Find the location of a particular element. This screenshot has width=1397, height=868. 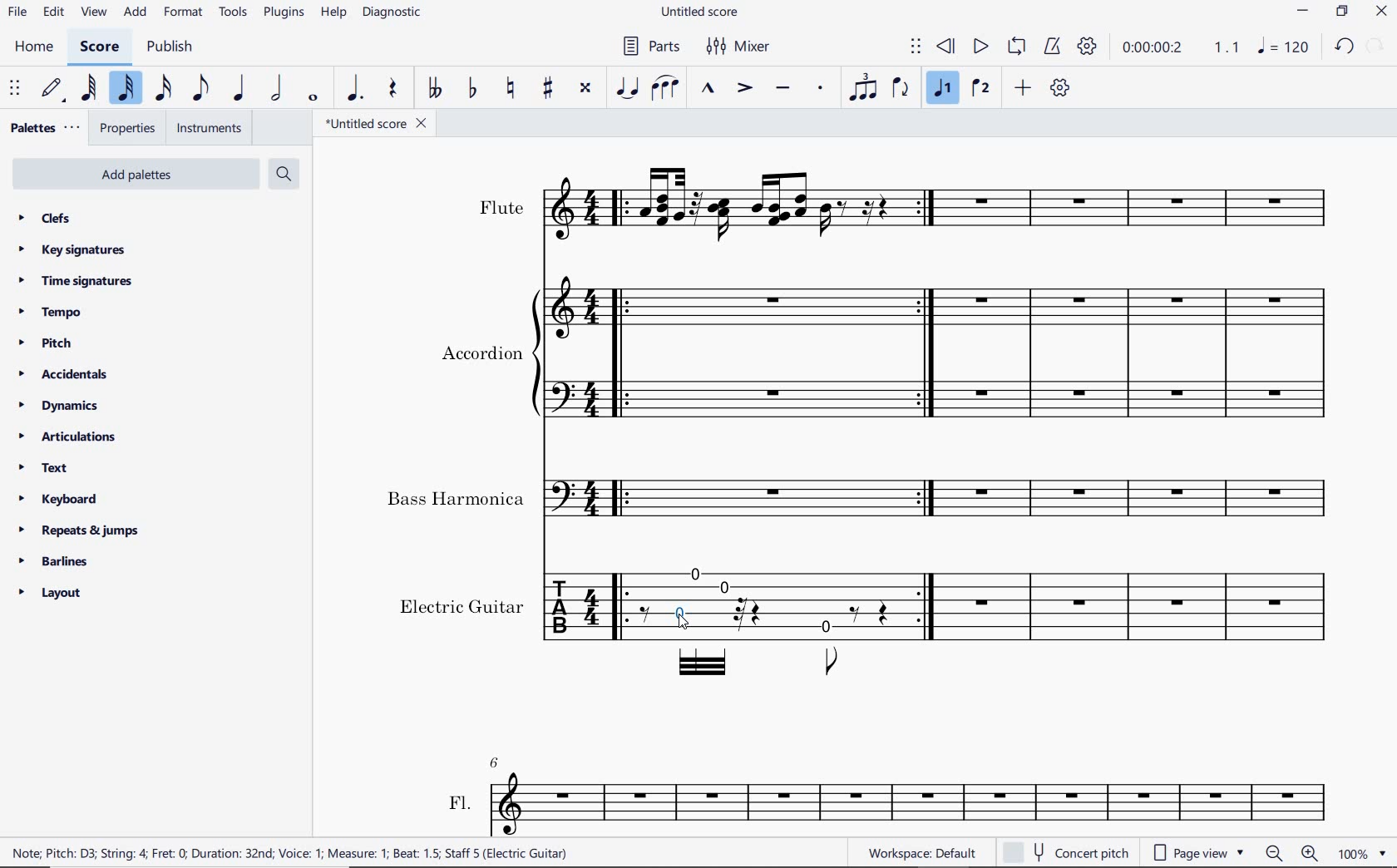

mixer is located at coordinates (739, 45).